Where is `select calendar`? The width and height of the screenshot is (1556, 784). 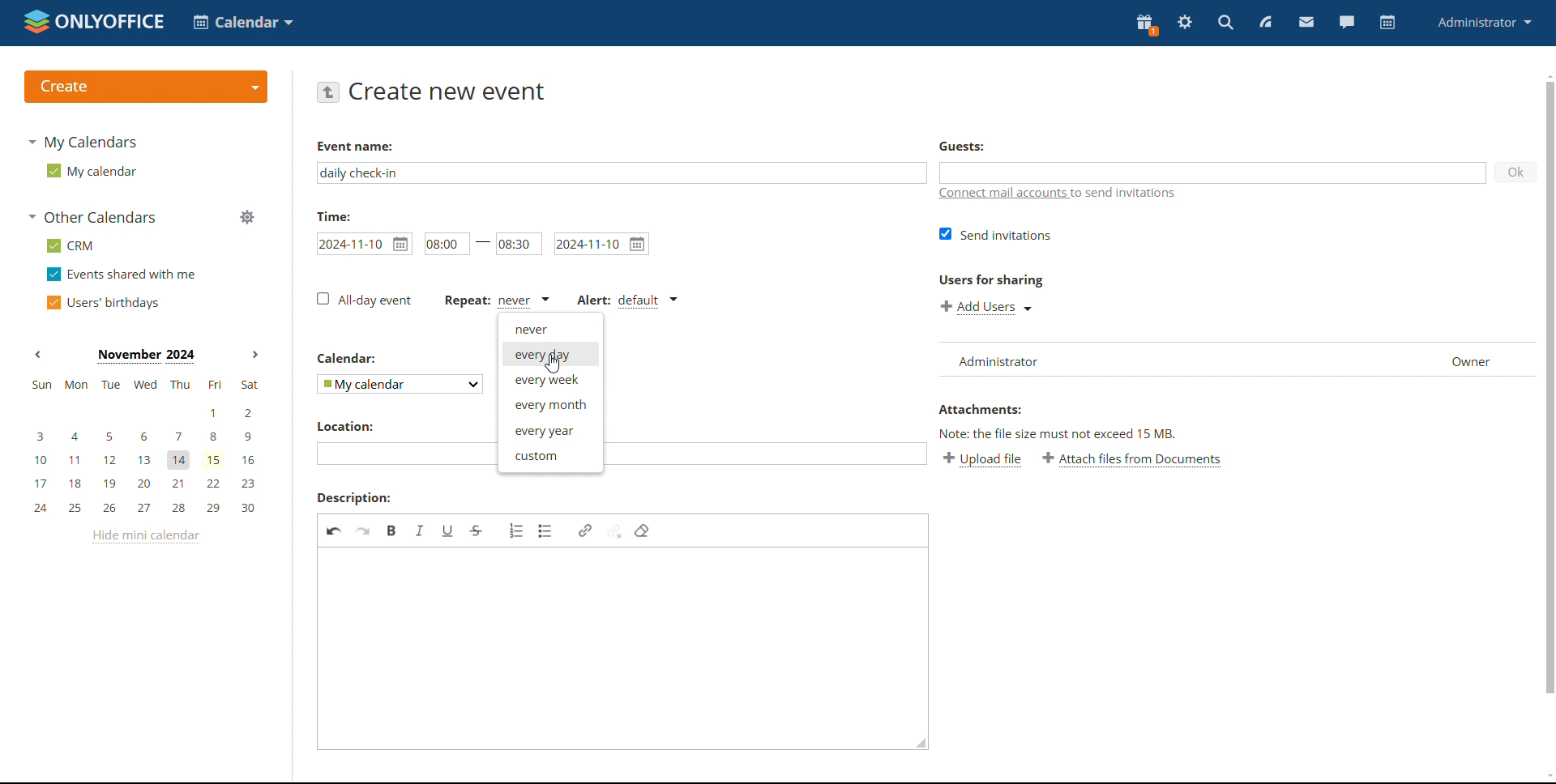 select calendar is located at coordinates (398, 385).